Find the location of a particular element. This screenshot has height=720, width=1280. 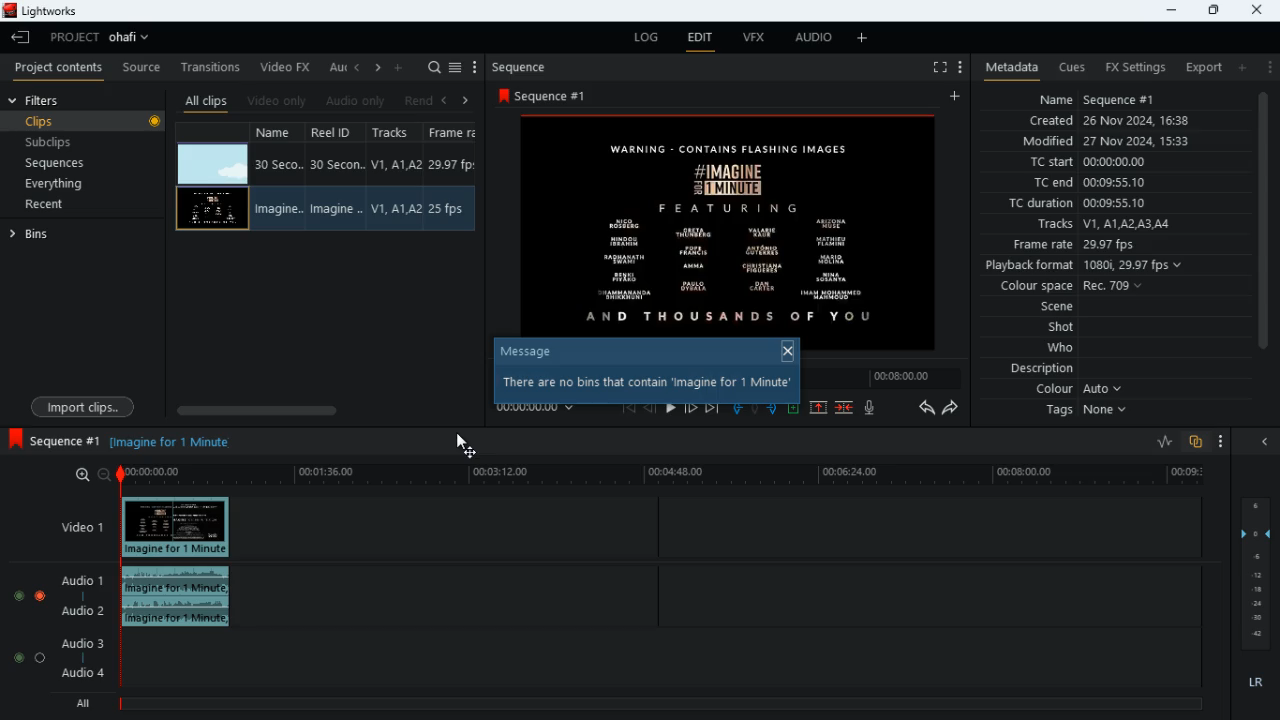

created is located at coordinates (1119, 122).